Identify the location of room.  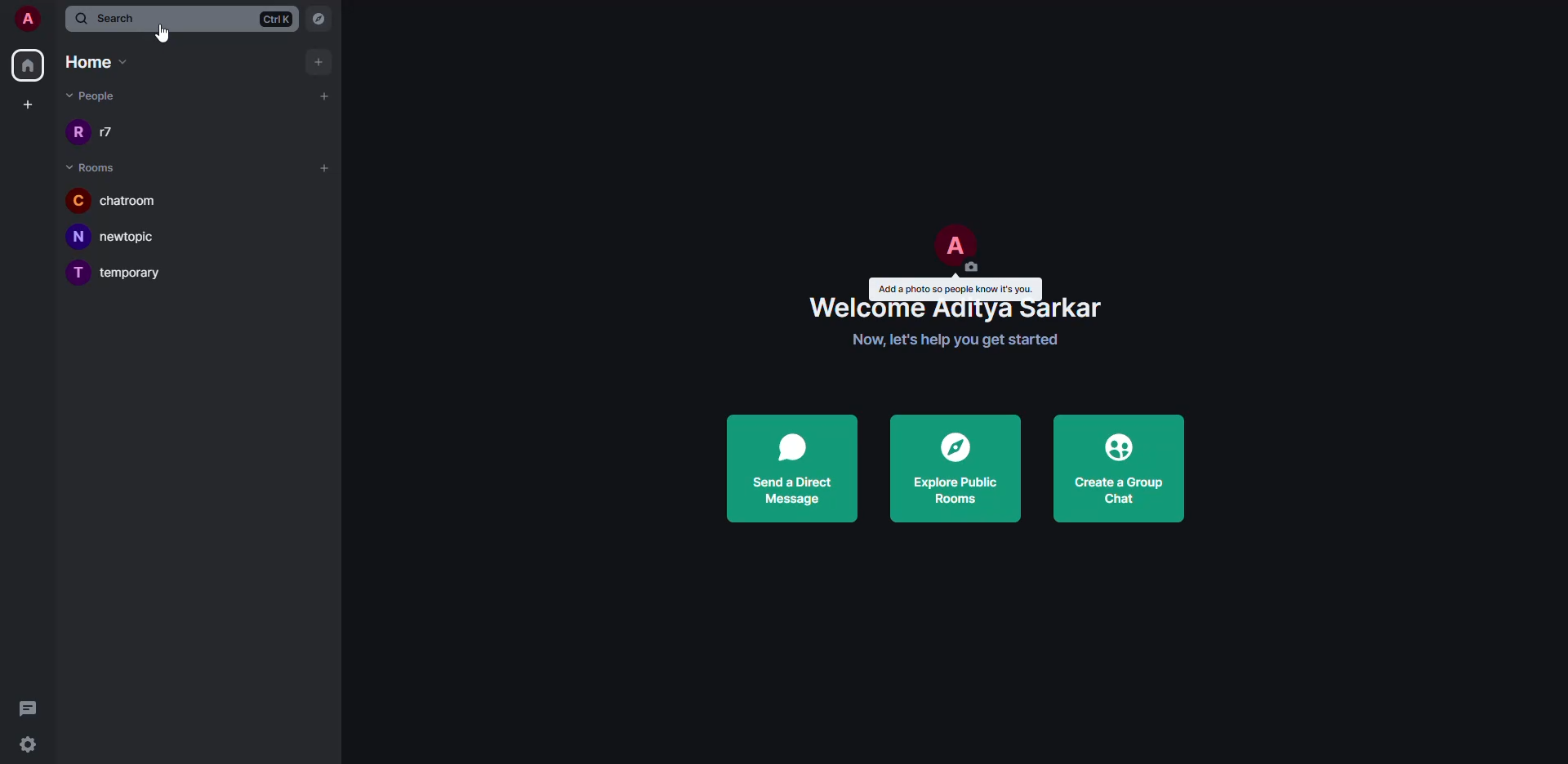
(115, 200).